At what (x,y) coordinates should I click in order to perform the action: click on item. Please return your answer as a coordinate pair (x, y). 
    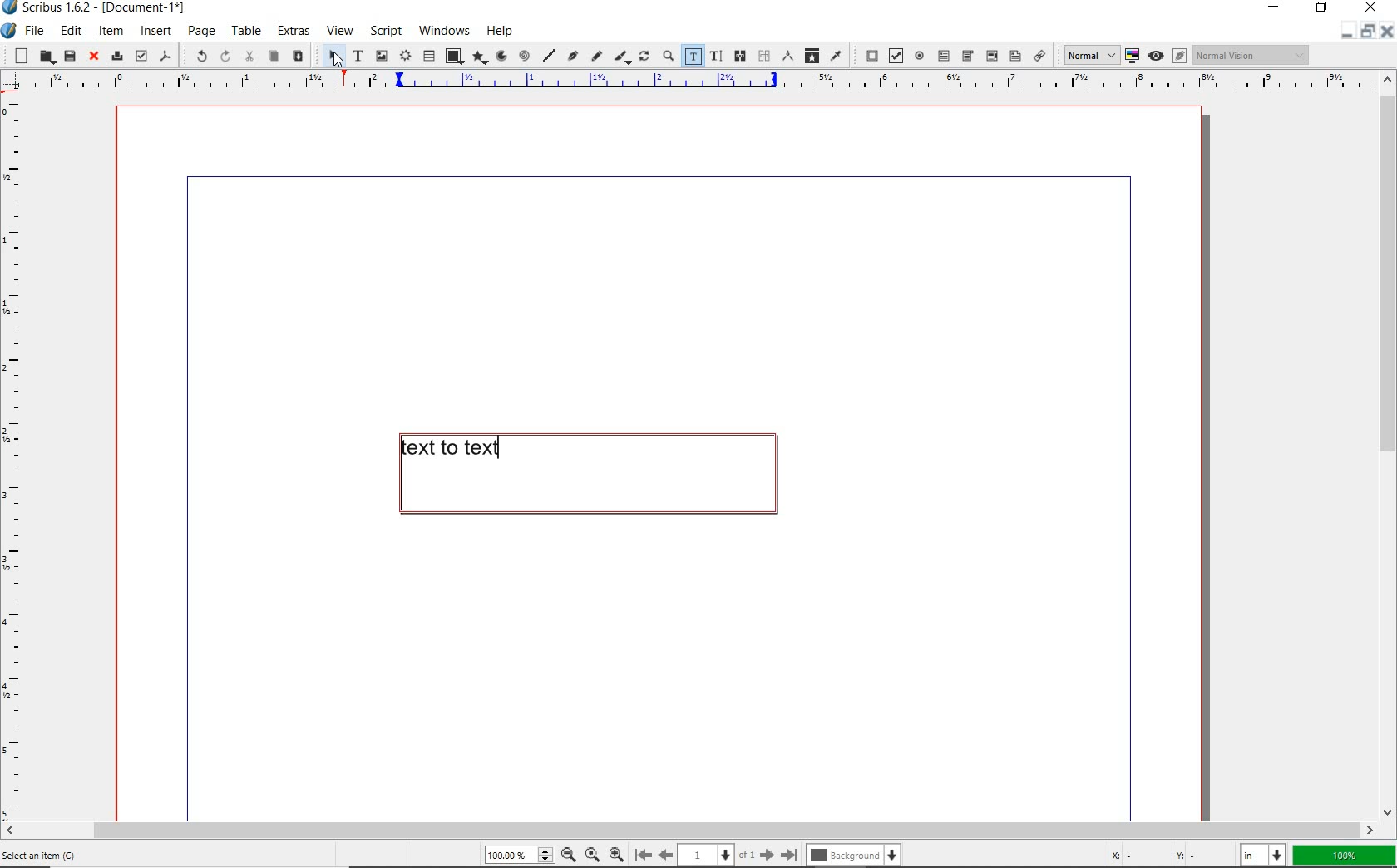
    Looking at the image, I should click on (111, 31).